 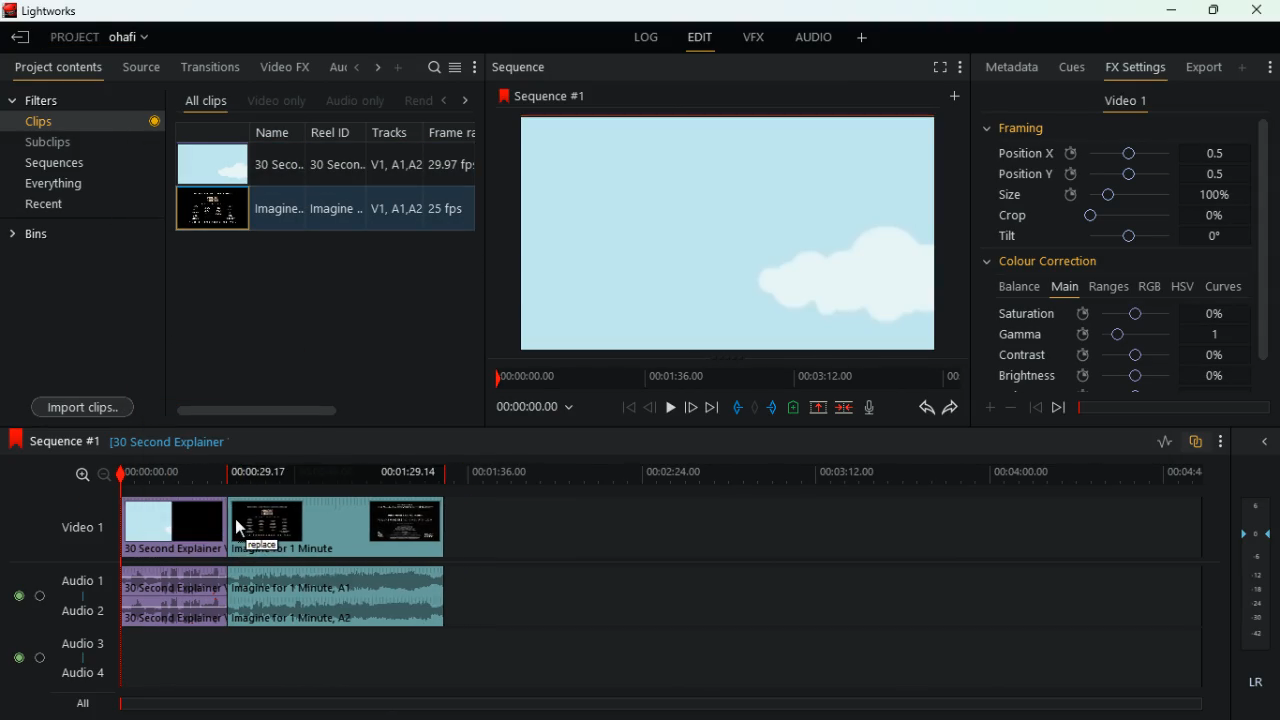 What do you see at coordinates (321, 410) in the screenshot?
I see `scroll` at bounding box center [321, 410].